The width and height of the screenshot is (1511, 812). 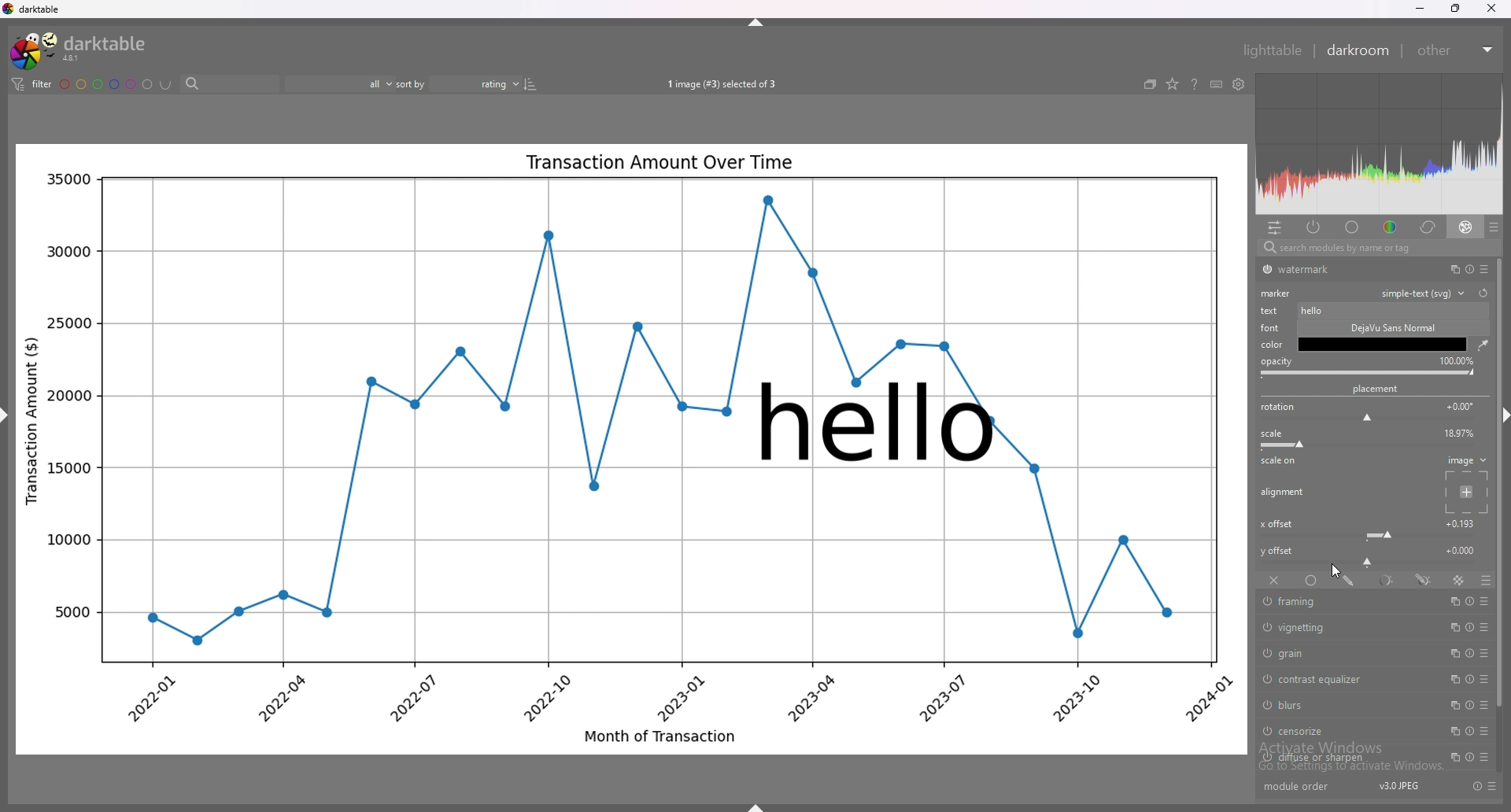 What do you see at coordinates (1280, 463) in the screenshot?
I see `scale on` at bounding box center [1280, 463].